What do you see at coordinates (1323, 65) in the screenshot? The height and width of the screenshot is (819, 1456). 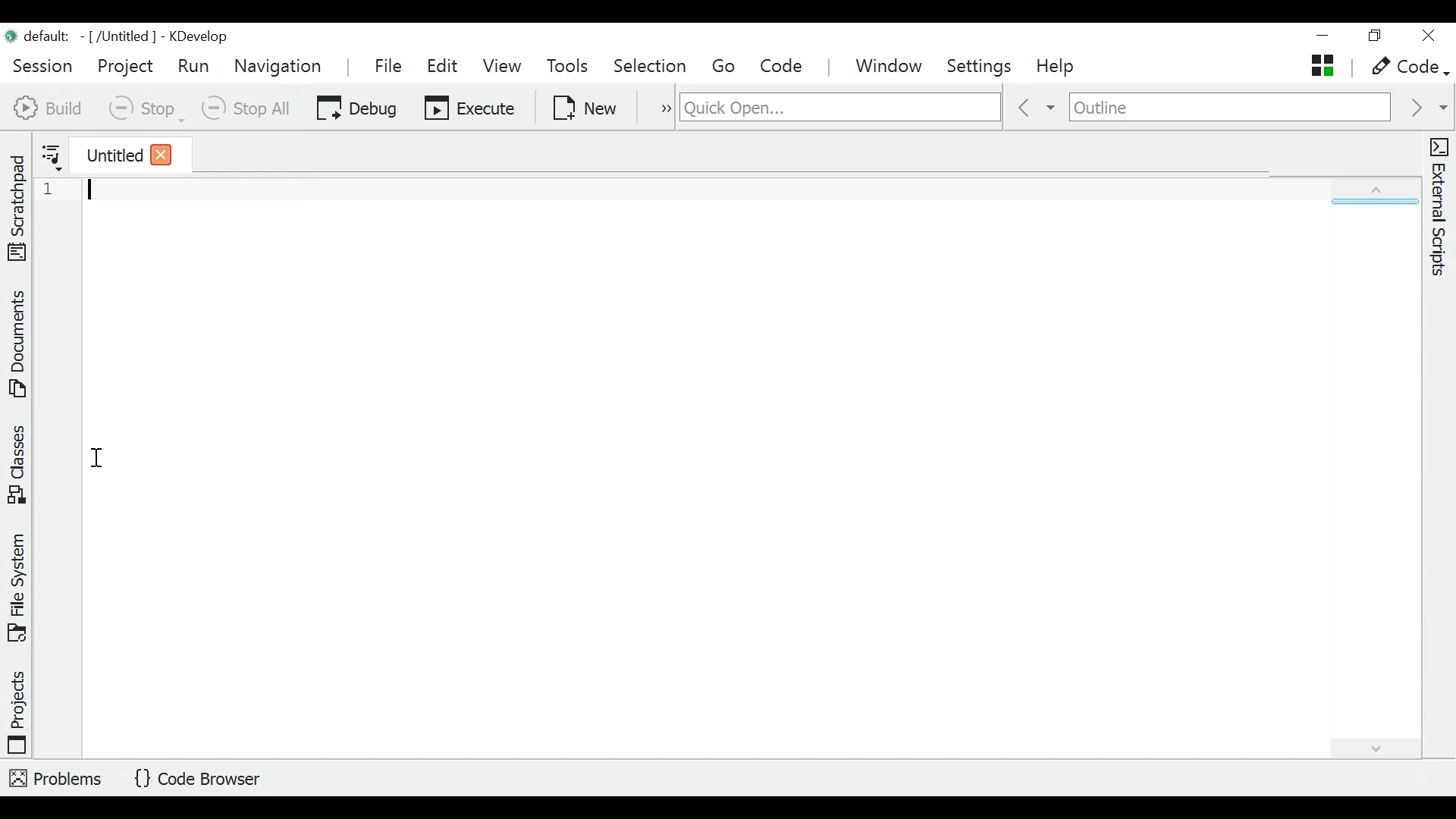 I see `untitled` at bounding box center [1323, 65].